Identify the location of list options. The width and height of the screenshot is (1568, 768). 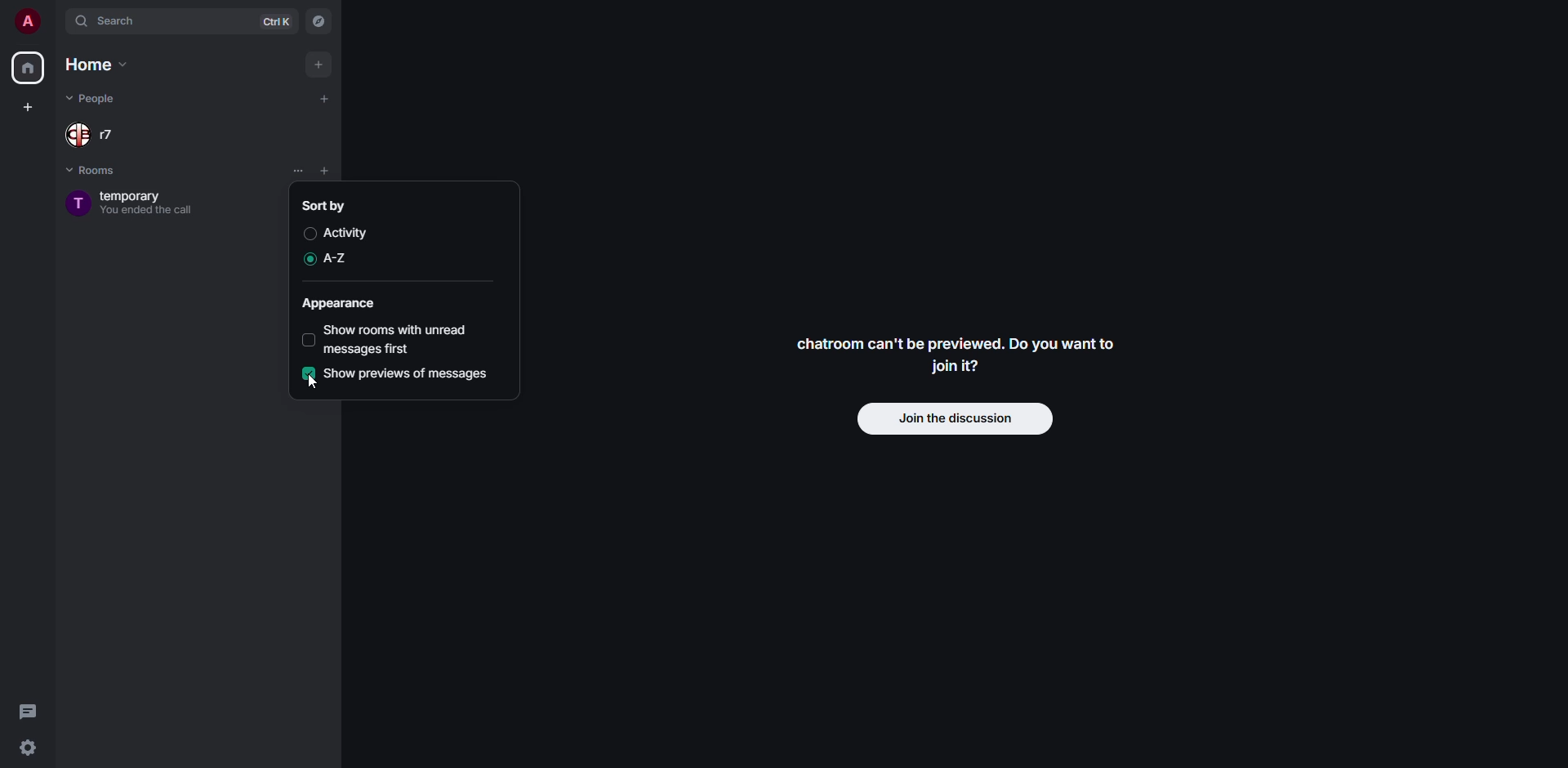
(348, 171).